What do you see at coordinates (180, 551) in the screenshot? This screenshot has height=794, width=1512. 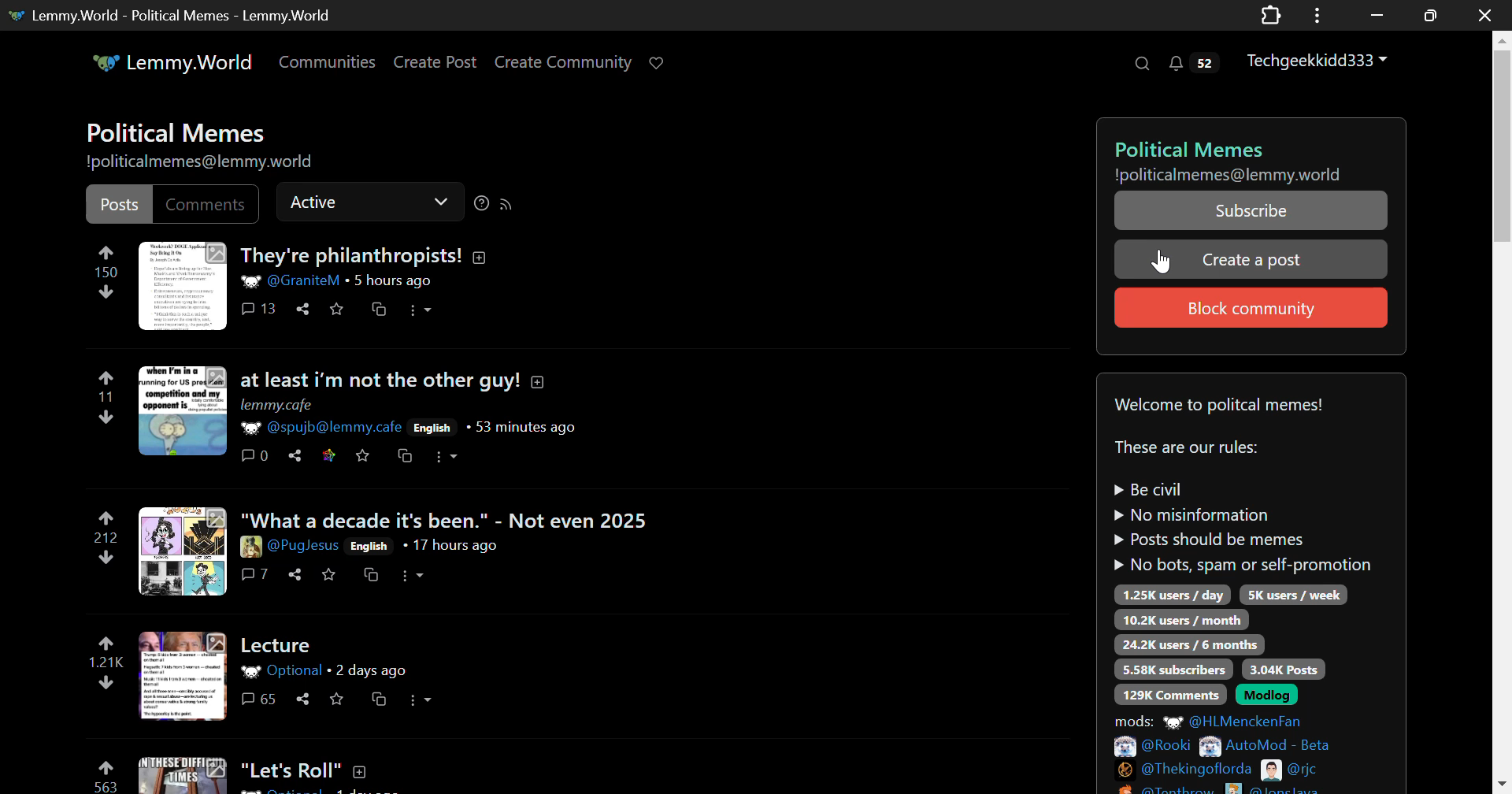 I see `Post Media` at bounding box center [180, 551].